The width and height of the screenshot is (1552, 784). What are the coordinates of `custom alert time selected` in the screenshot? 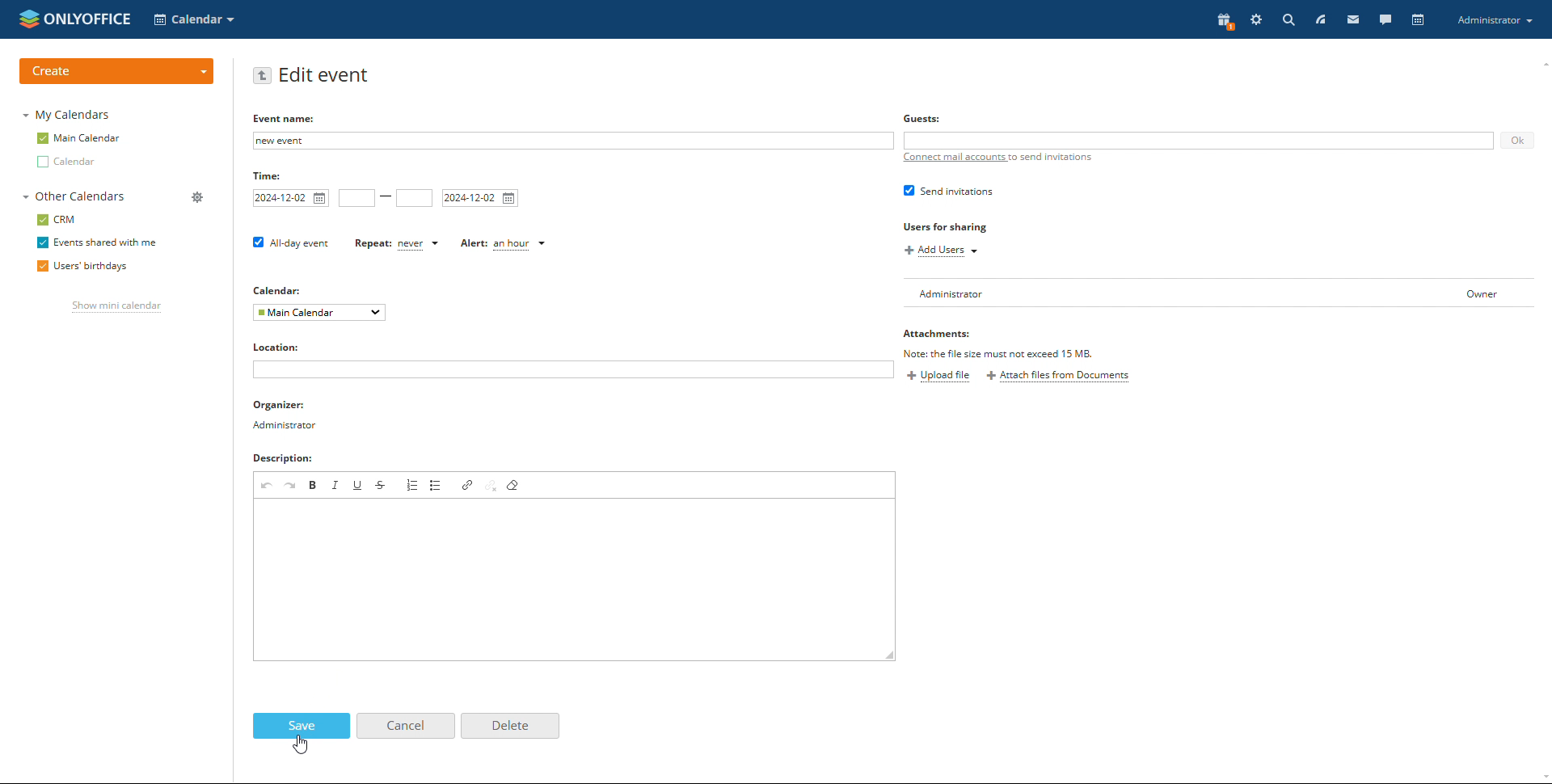 It's located at (504, 245).